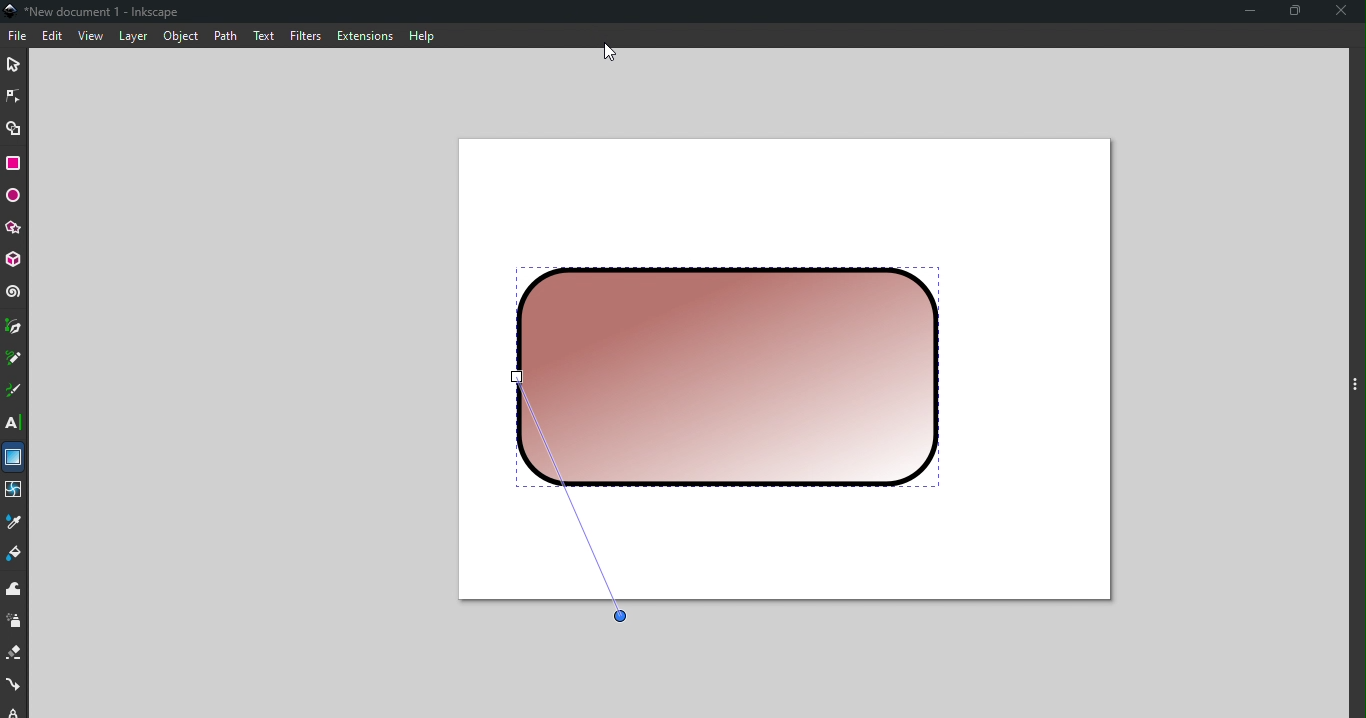 The image size is (1366, 718). What do you see at coordinates (1299, 12) in the screenshot?
I see `Maximize` at bounding box center [1299, 12].